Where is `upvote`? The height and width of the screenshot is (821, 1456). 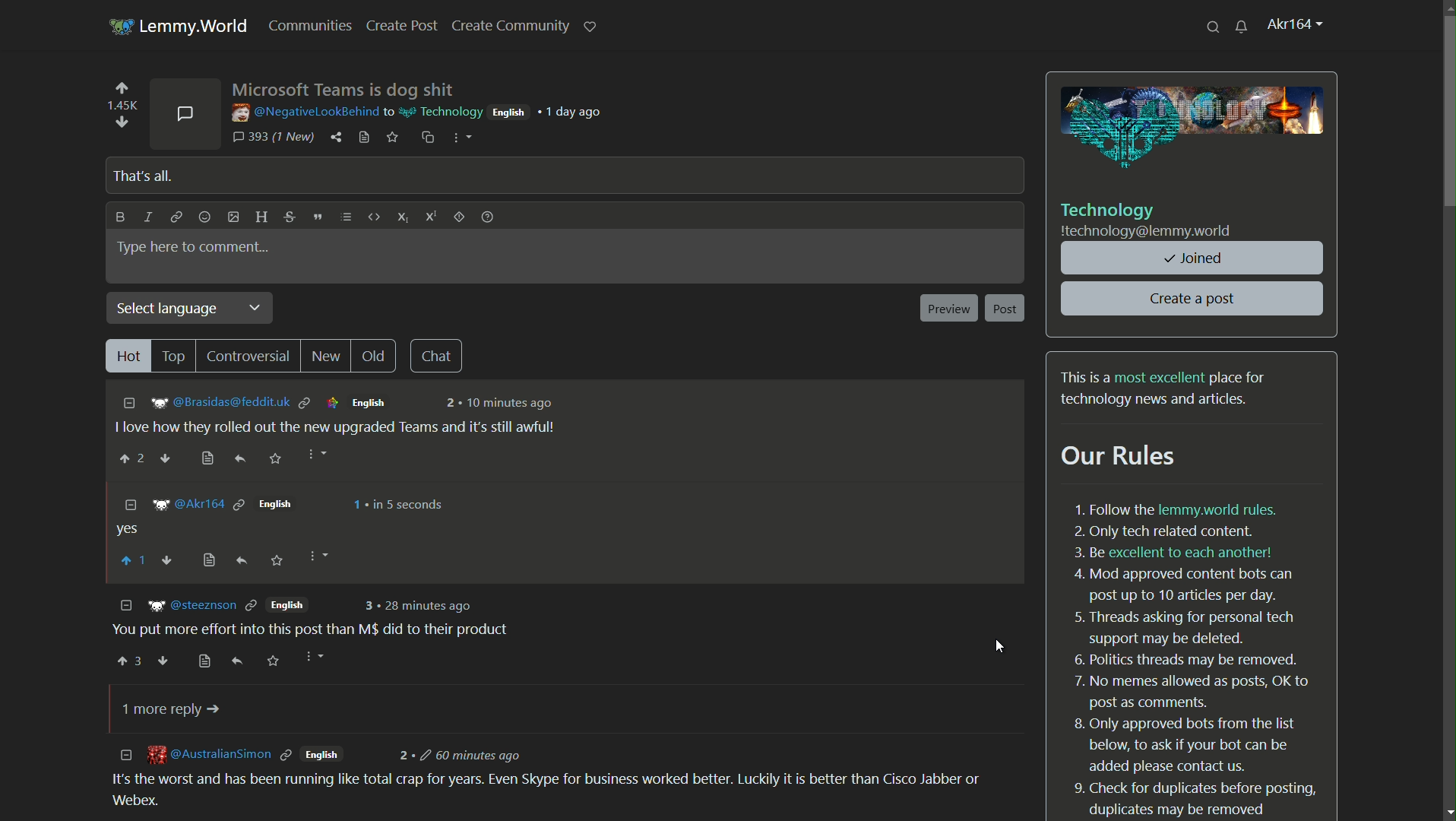 upvote is located at coordinates (131, 562).